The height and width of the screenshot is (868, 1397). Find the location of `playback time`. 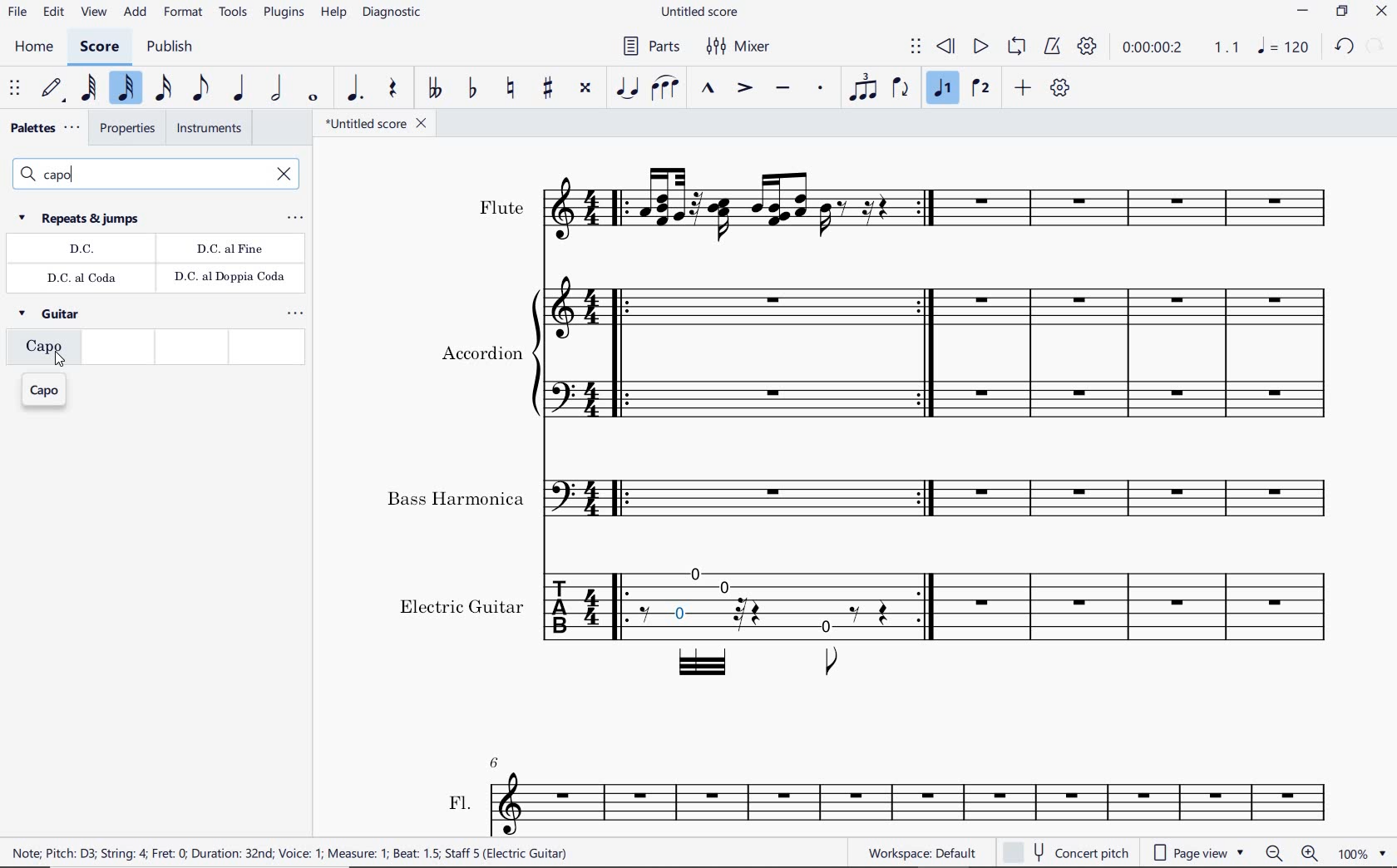

playback time is located at coordinates (1155, 50).